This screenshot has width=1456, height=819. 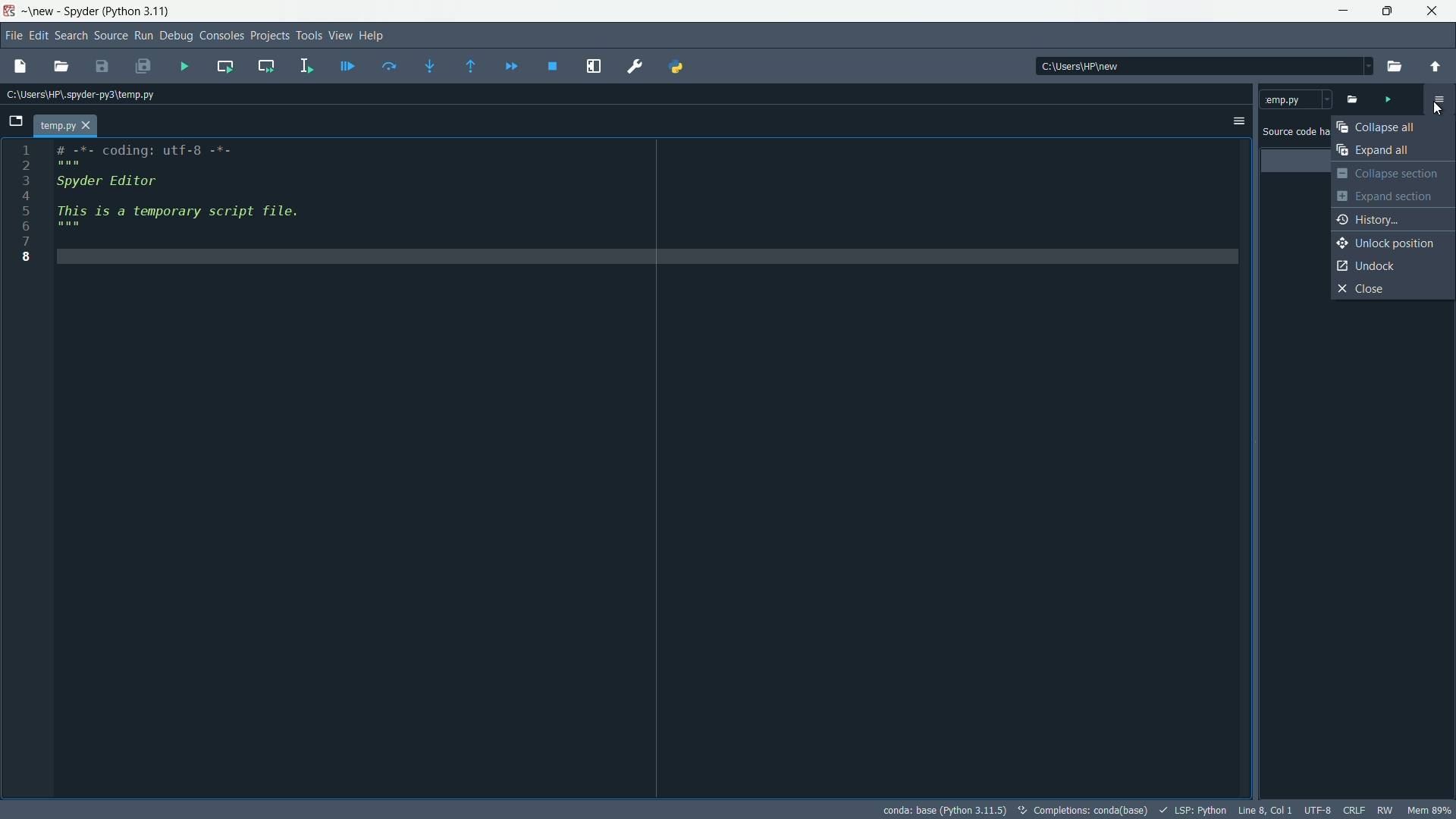 What do you see at coordinates (265, 66) in the screenshot?
I see `run current cell and go to the next one` at bounding box center [265, 66].